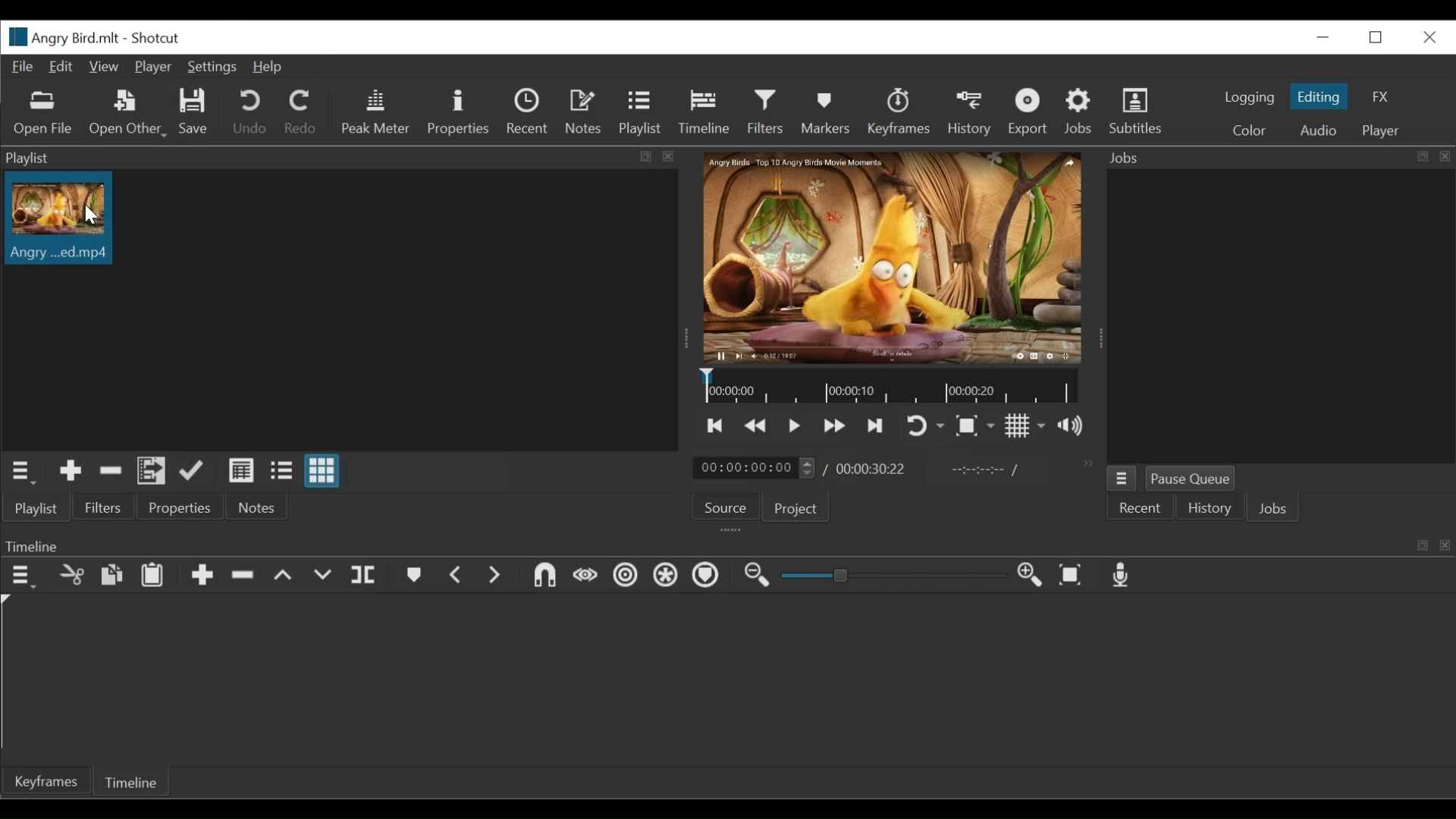  I want to click on split payhead, so click(363, 575).